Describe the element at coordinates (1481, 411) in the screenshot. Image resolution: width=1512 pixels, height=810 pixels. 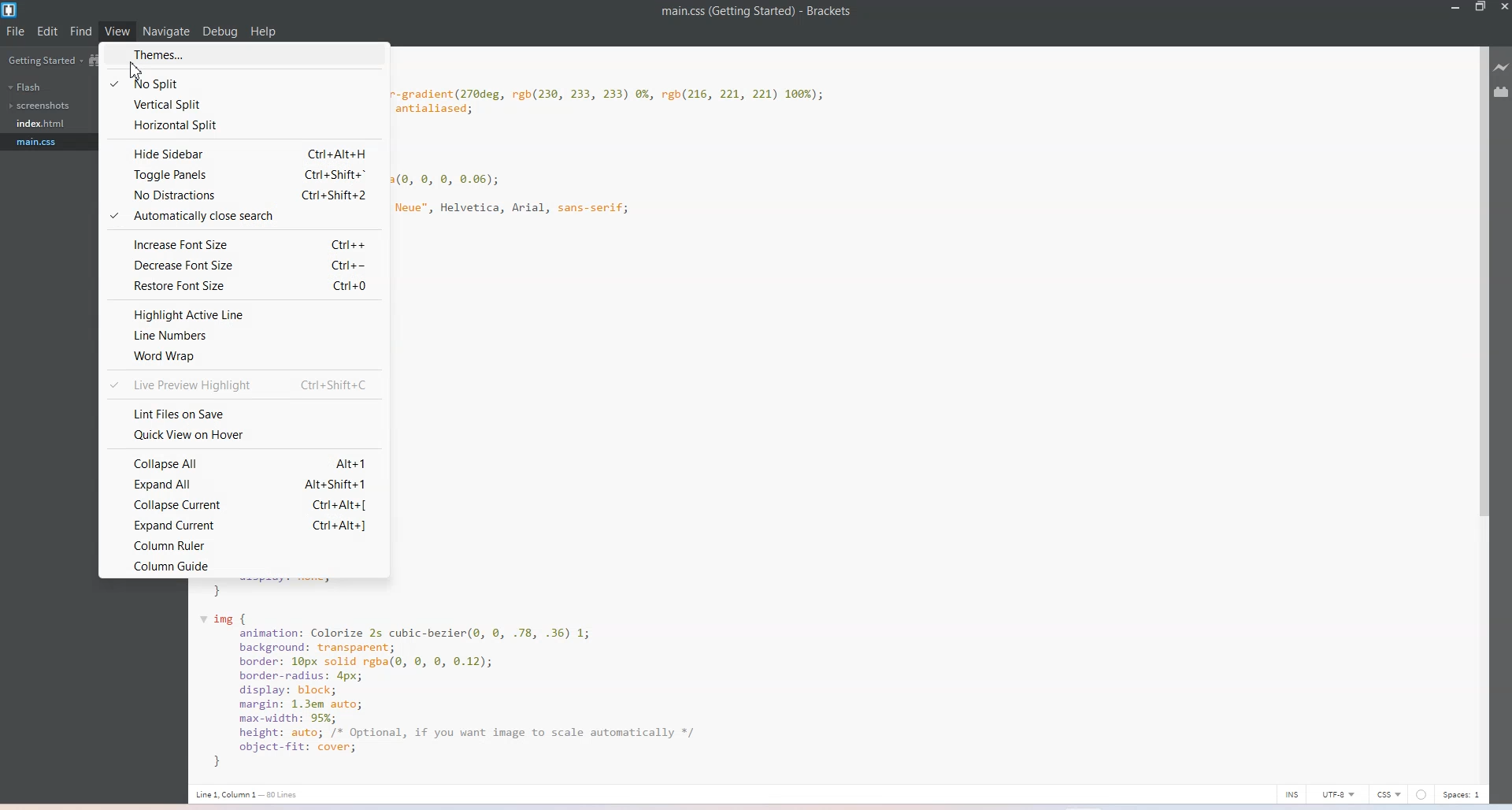
I see `Vertical Scroll bar` at that location.